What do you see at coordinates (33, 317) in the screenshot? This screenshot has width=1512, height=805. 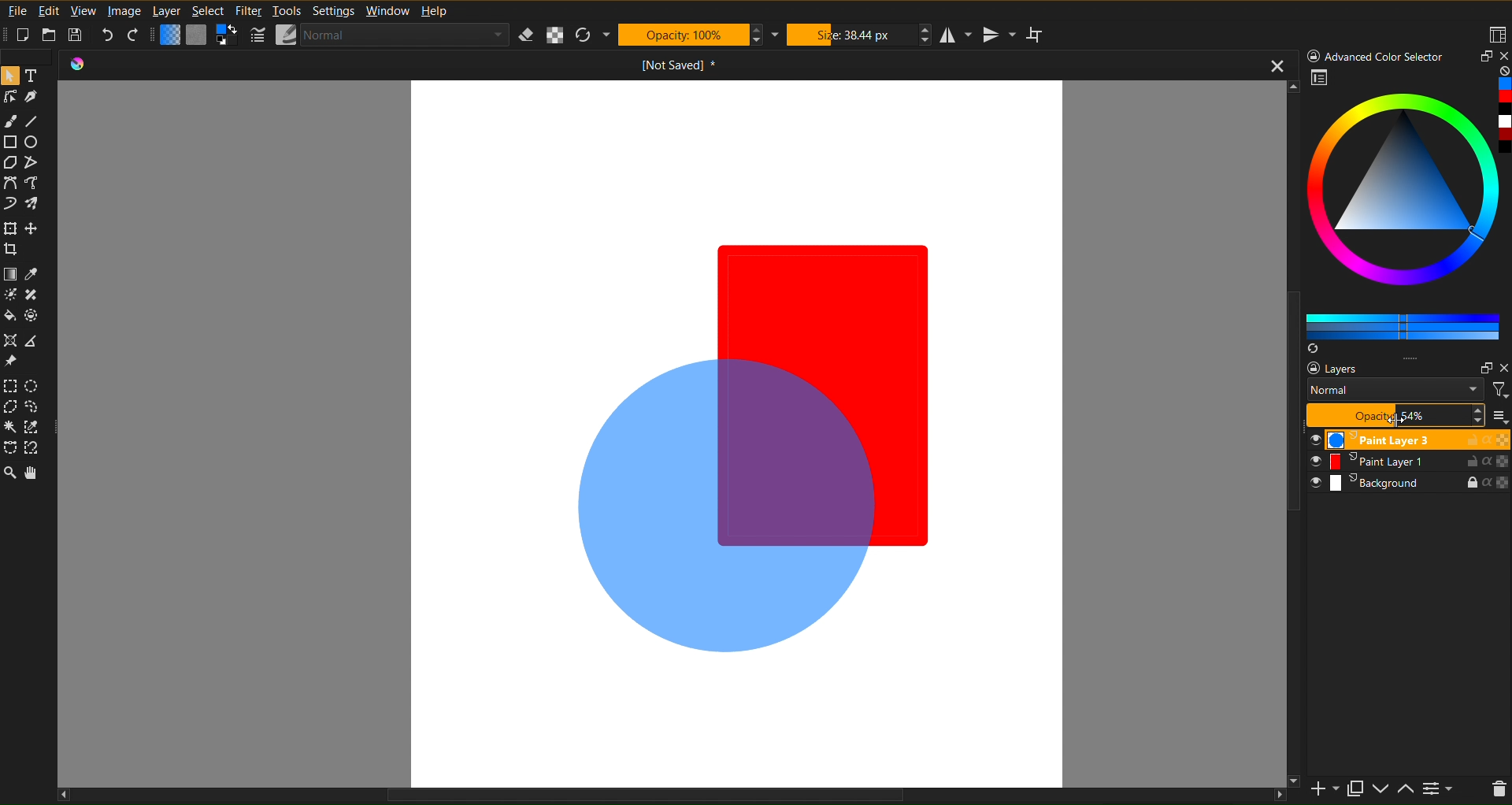 I see `Color` at bounding box center [33, 317].